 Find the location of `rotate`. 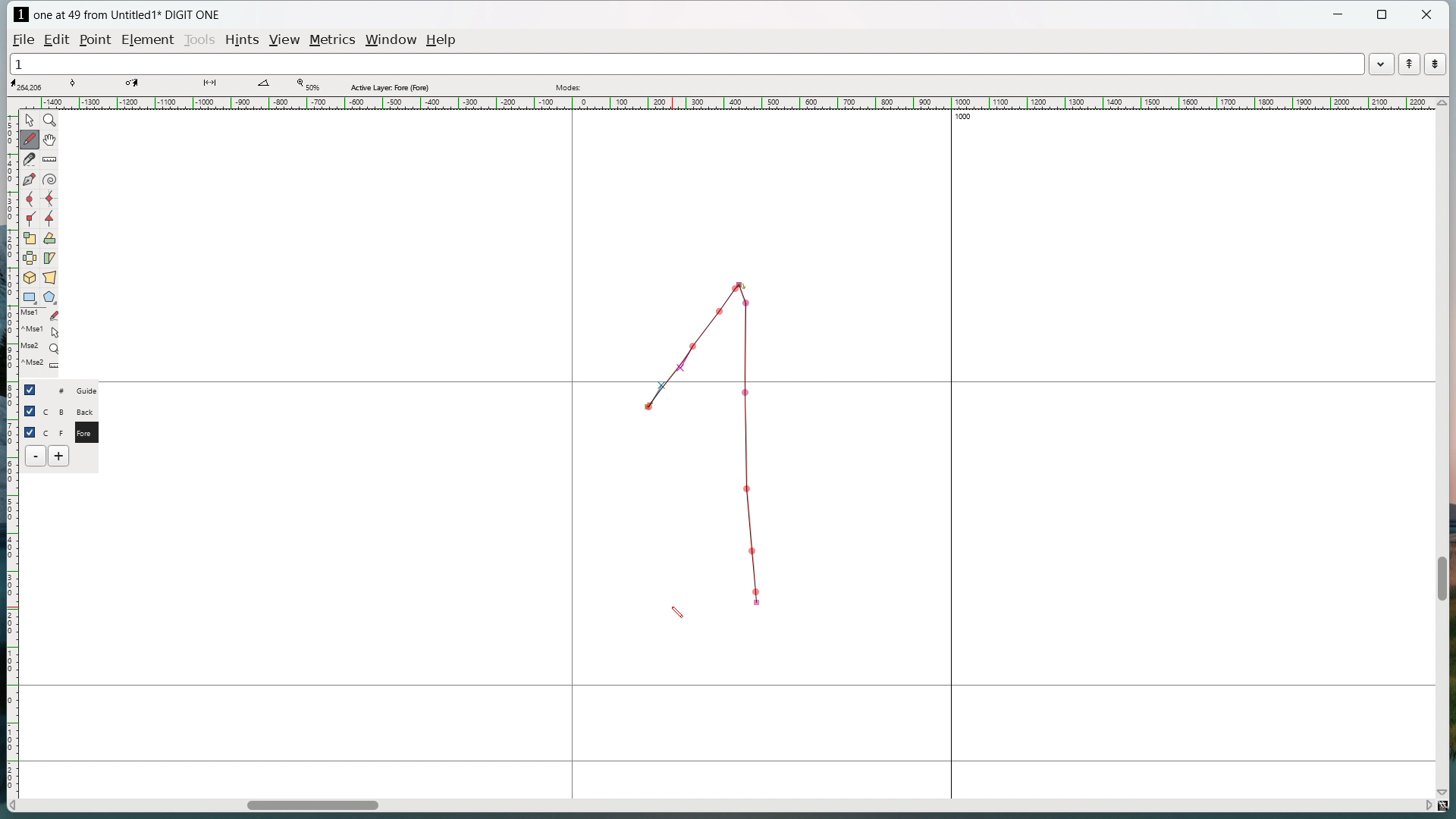

rotate is located at coordinates (49, 238).